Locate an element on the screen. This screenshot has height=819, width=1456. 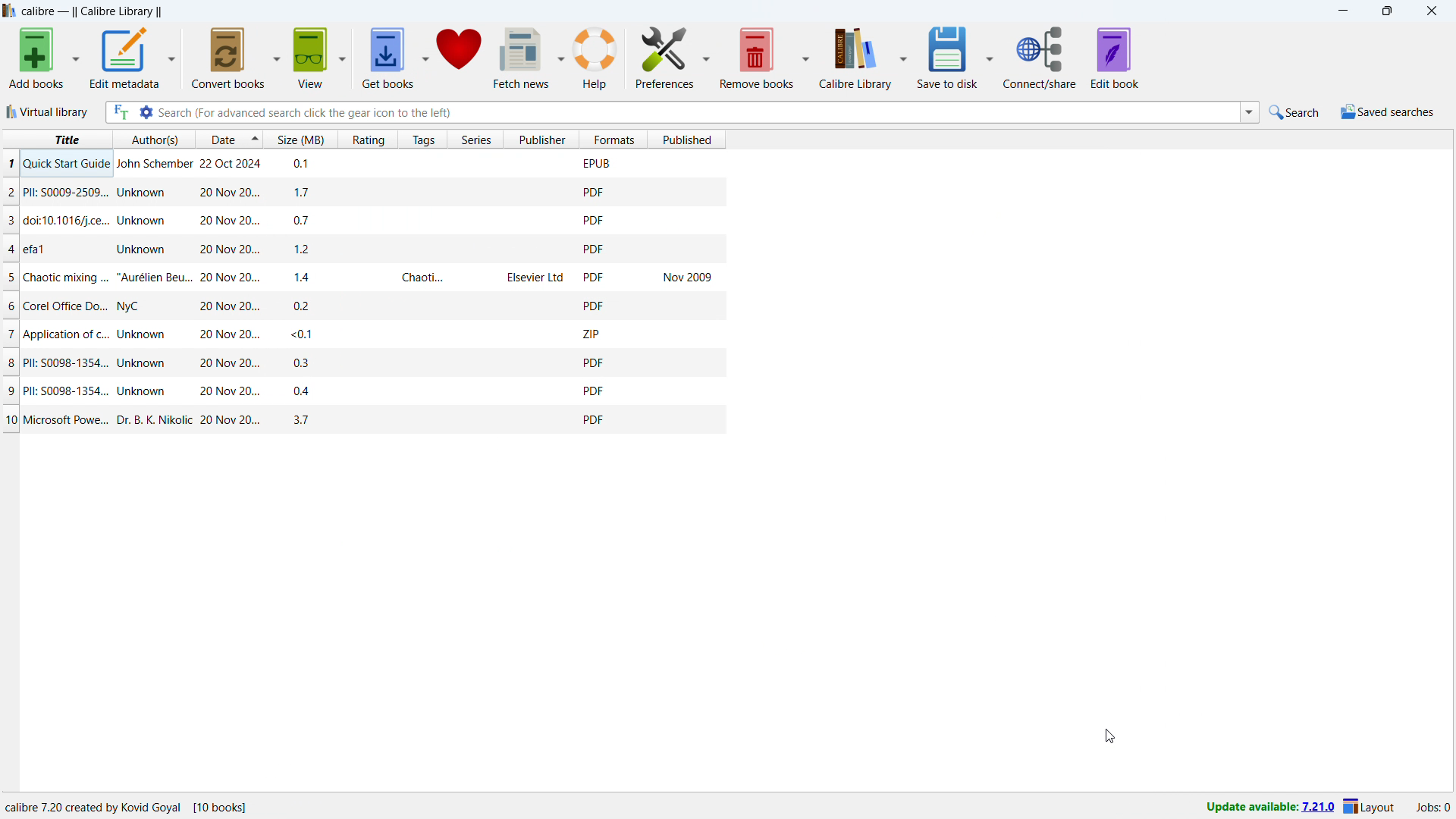
enter search string is located at coordinates (699, 113).